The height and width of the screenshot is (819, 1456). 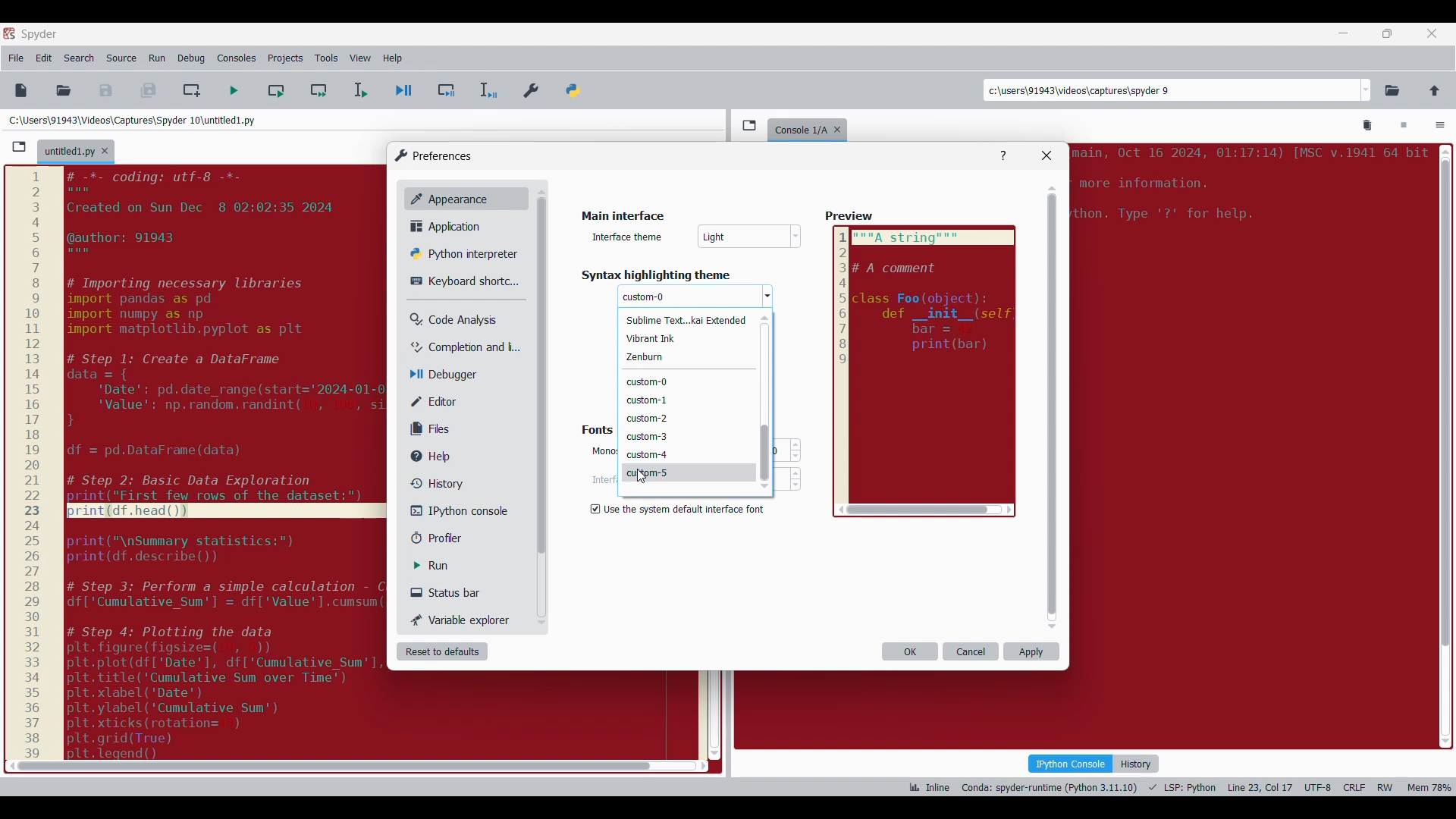 I want to click on Variable explorer, so click(x=462, y=620).